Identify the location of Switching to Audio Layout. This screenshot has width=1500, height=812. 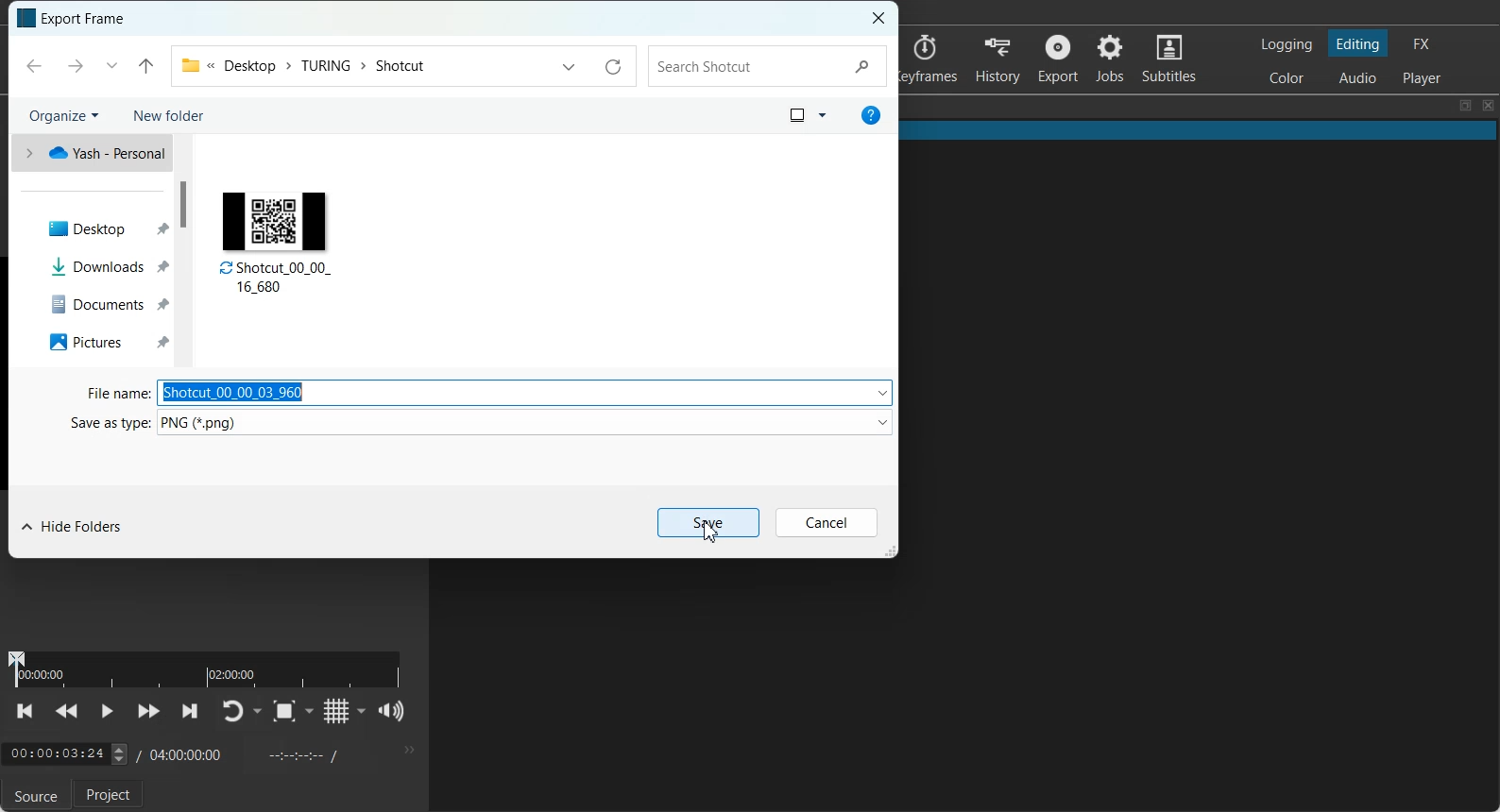
(1358, 76).